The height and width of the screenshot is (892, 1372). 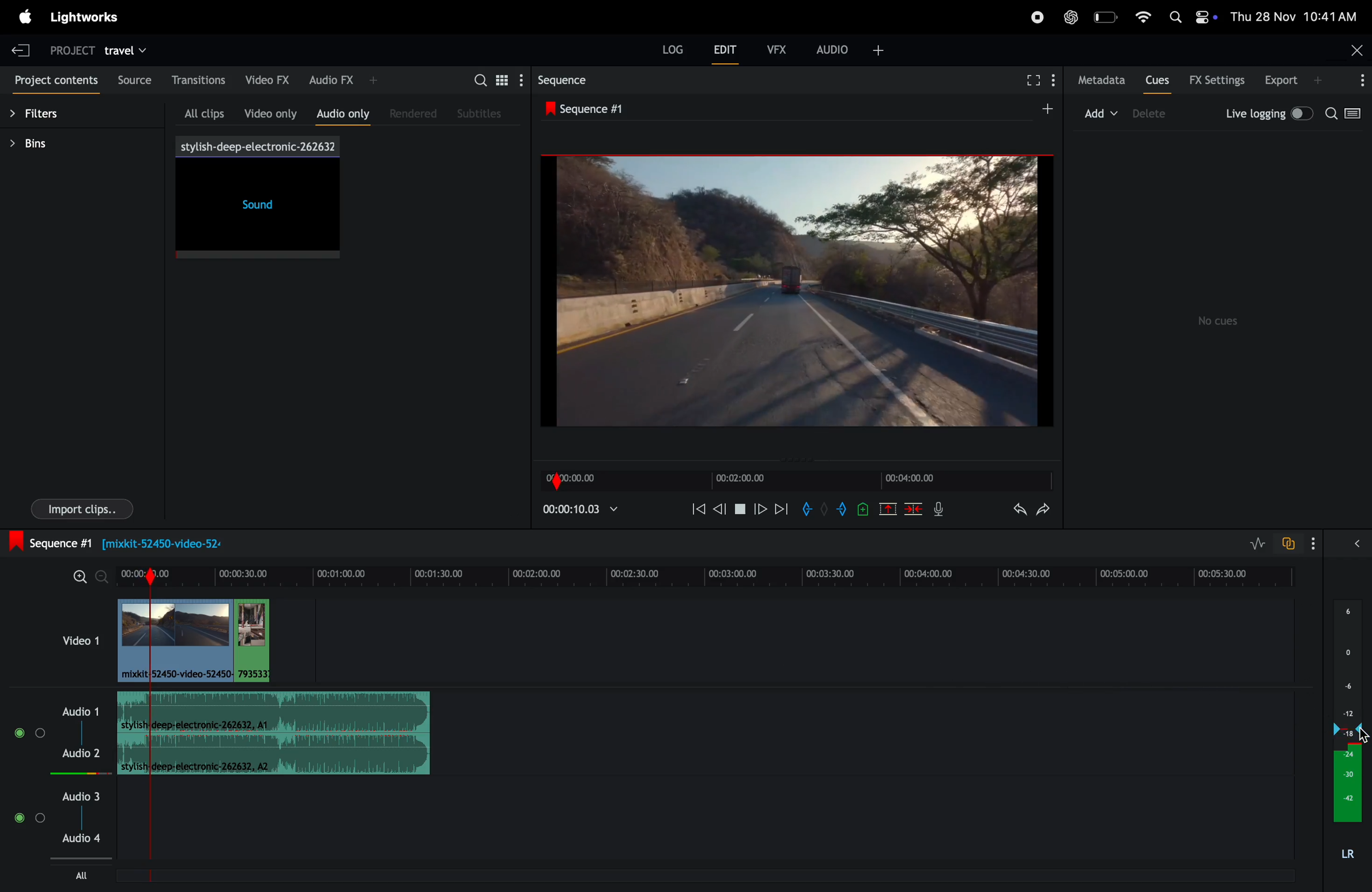 What do you see at coordinates (172, 831) in the screenshot?
I see `Sequence Marker` at bounding box center [172, 831].